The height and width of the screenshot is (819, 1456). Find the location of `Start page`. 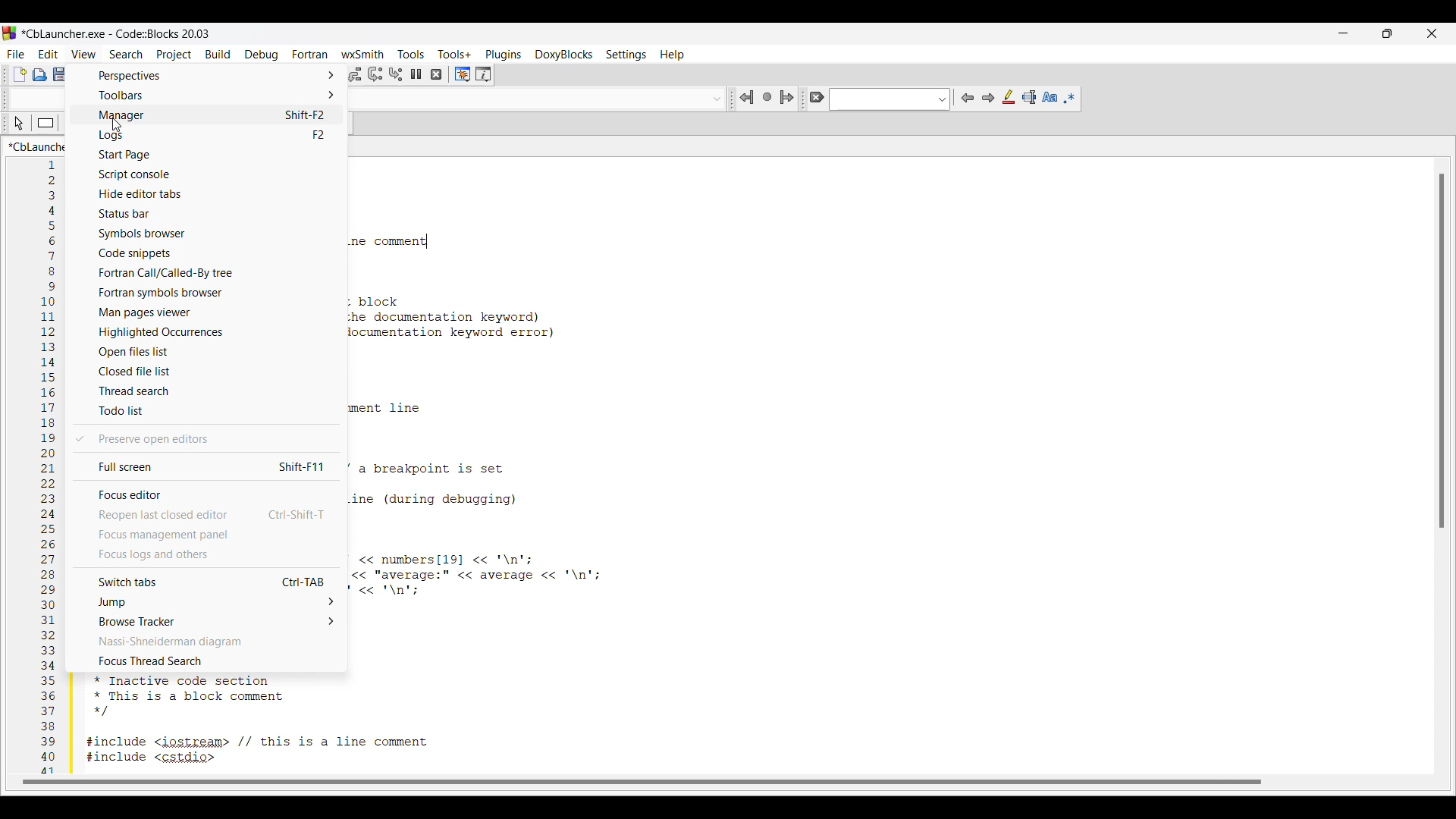

Start page is located at coordinates (208, 155).